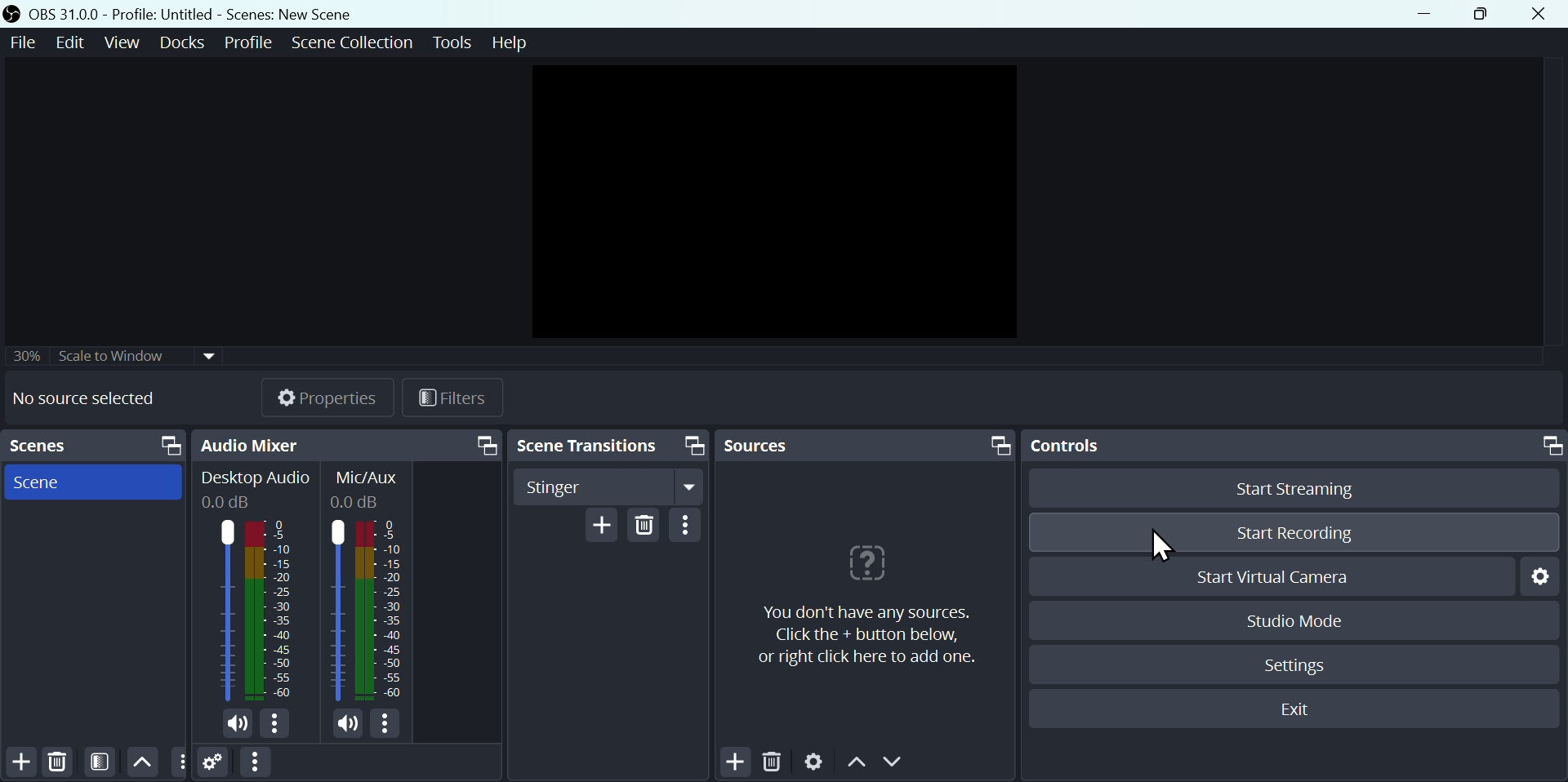  I want to click on View, so click(122, 47).